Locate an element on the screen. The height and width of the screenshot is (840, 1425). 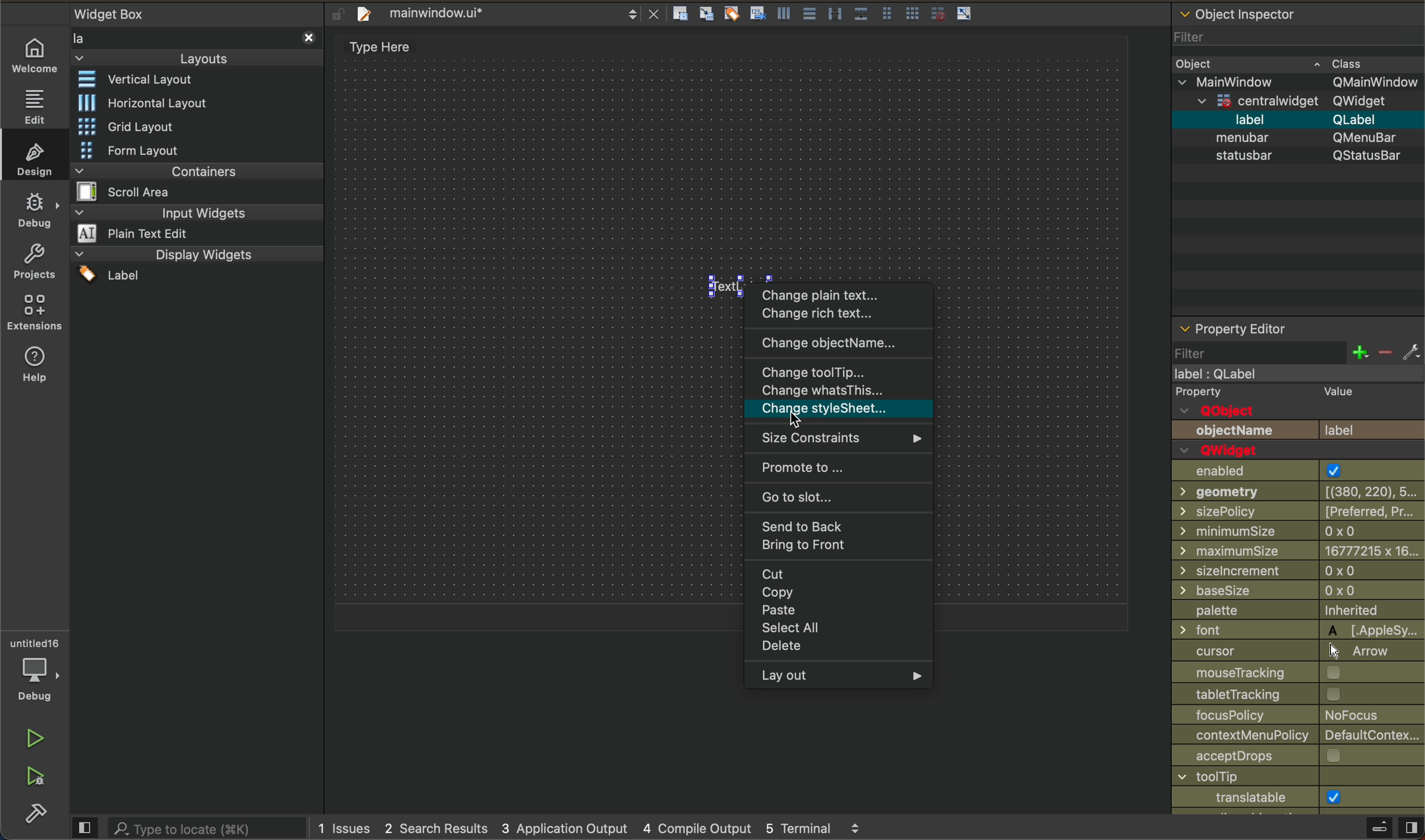
acceptdrops is located at coordinates (1298, 757).